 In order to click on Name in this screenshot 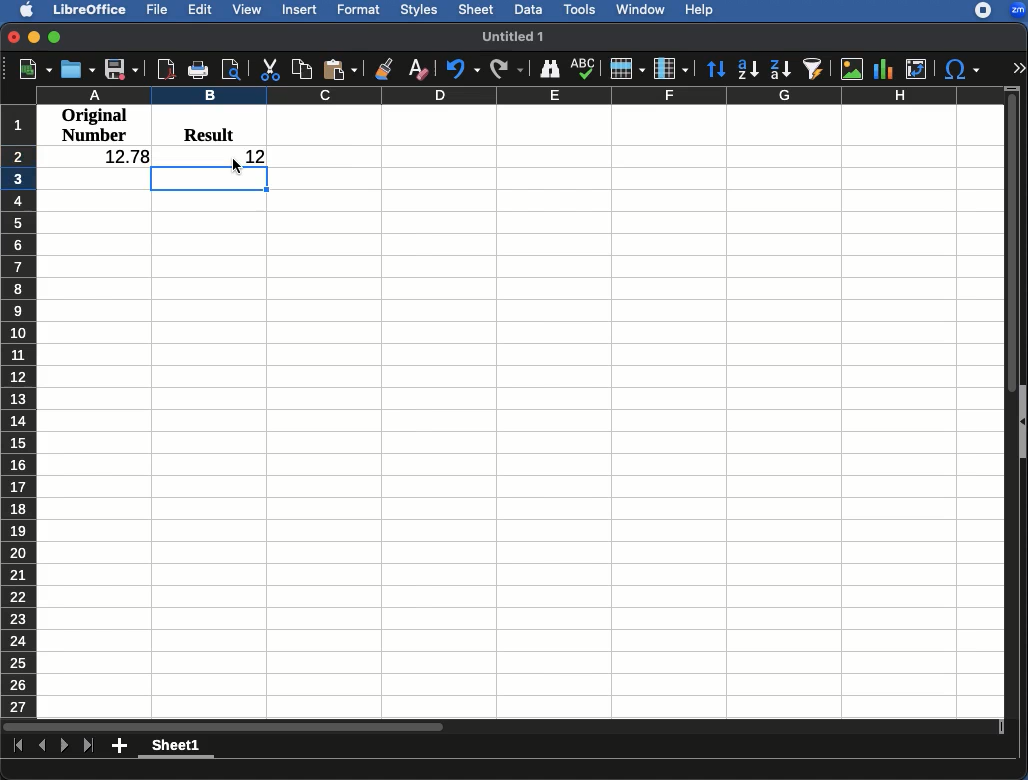, I will do `click(516, 36)`.